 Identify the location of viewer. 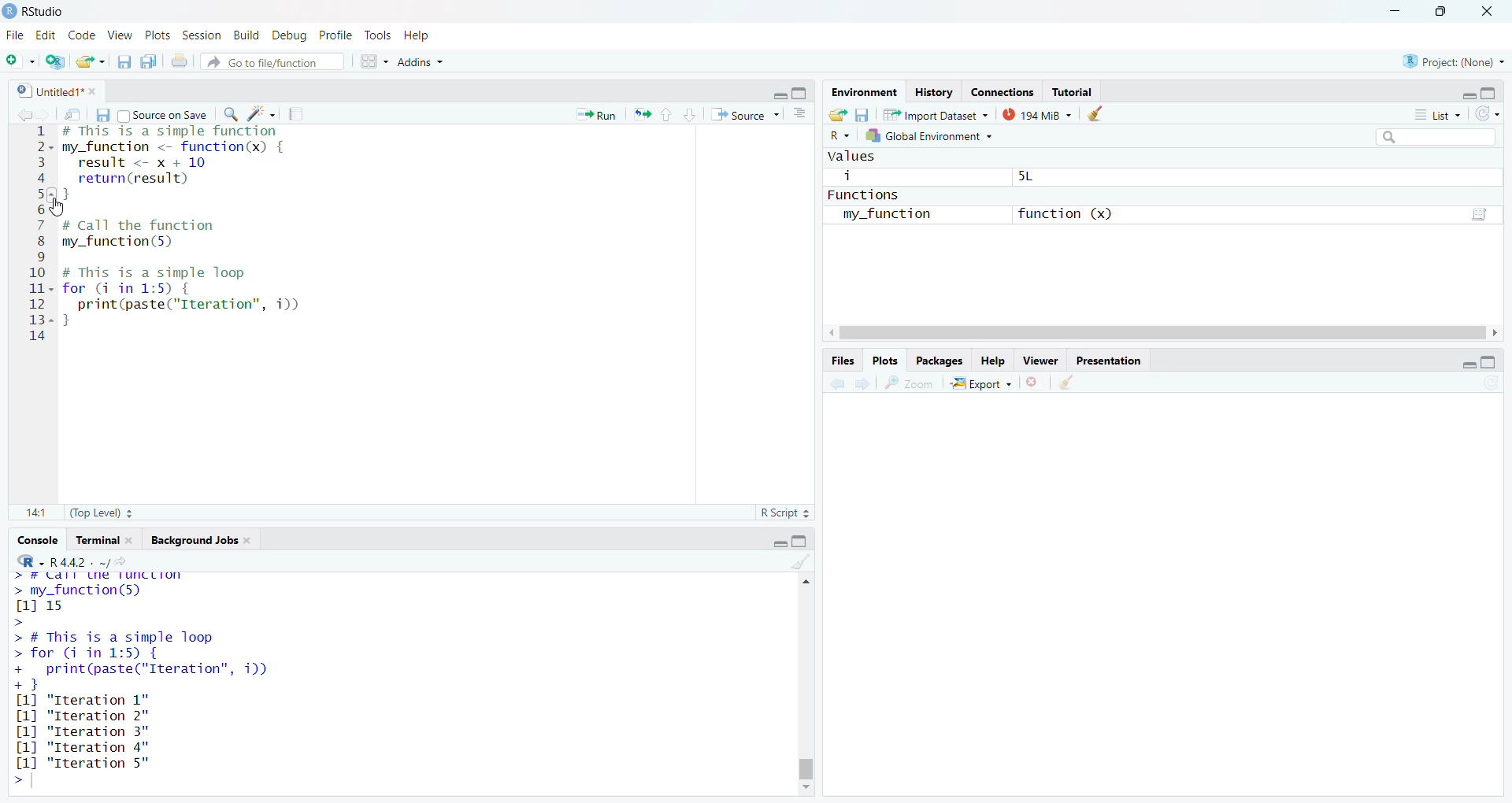
(1041, 358).